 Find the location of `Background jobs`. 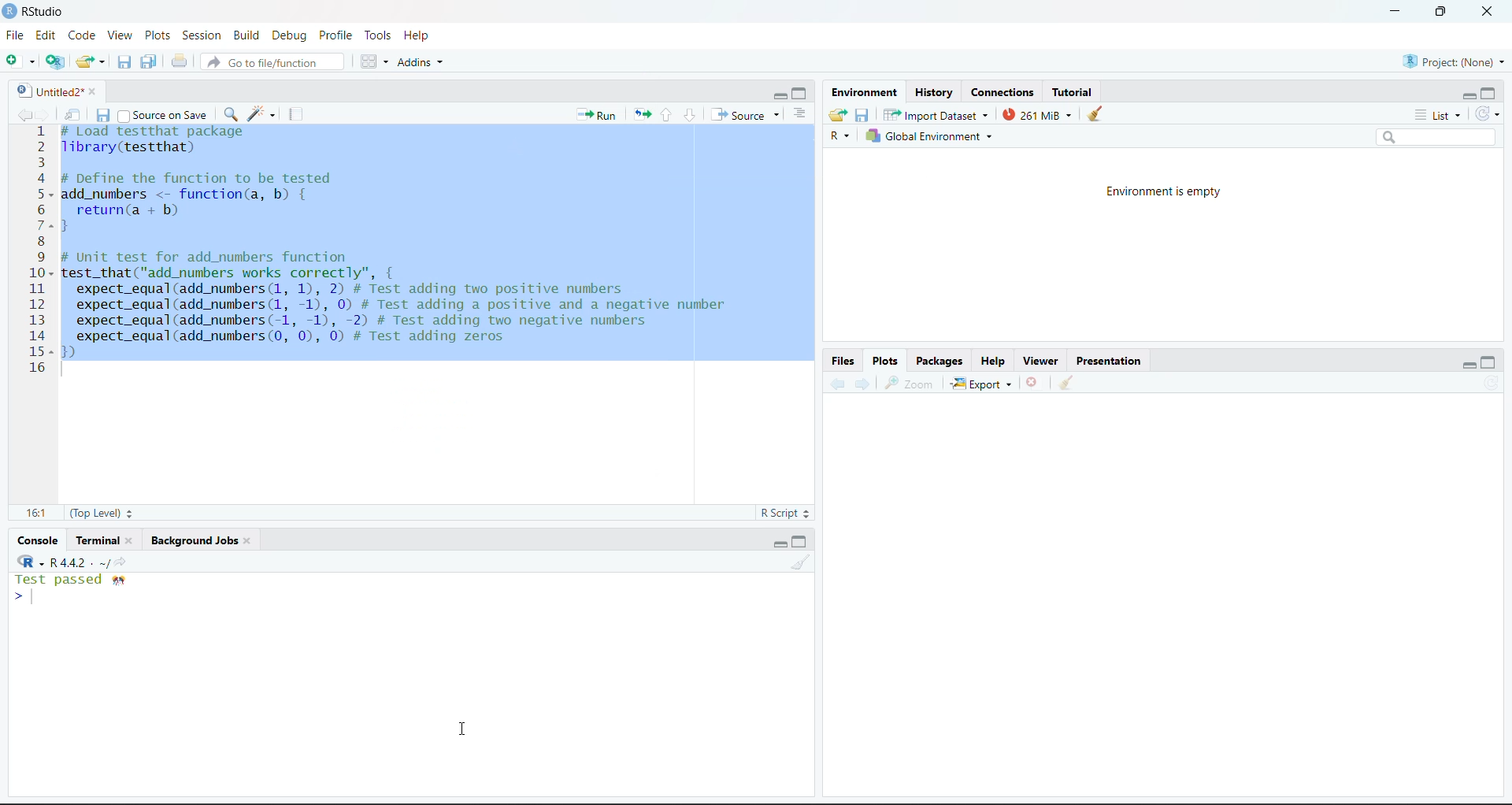

Background jobs is located at coordinates (202, 540).